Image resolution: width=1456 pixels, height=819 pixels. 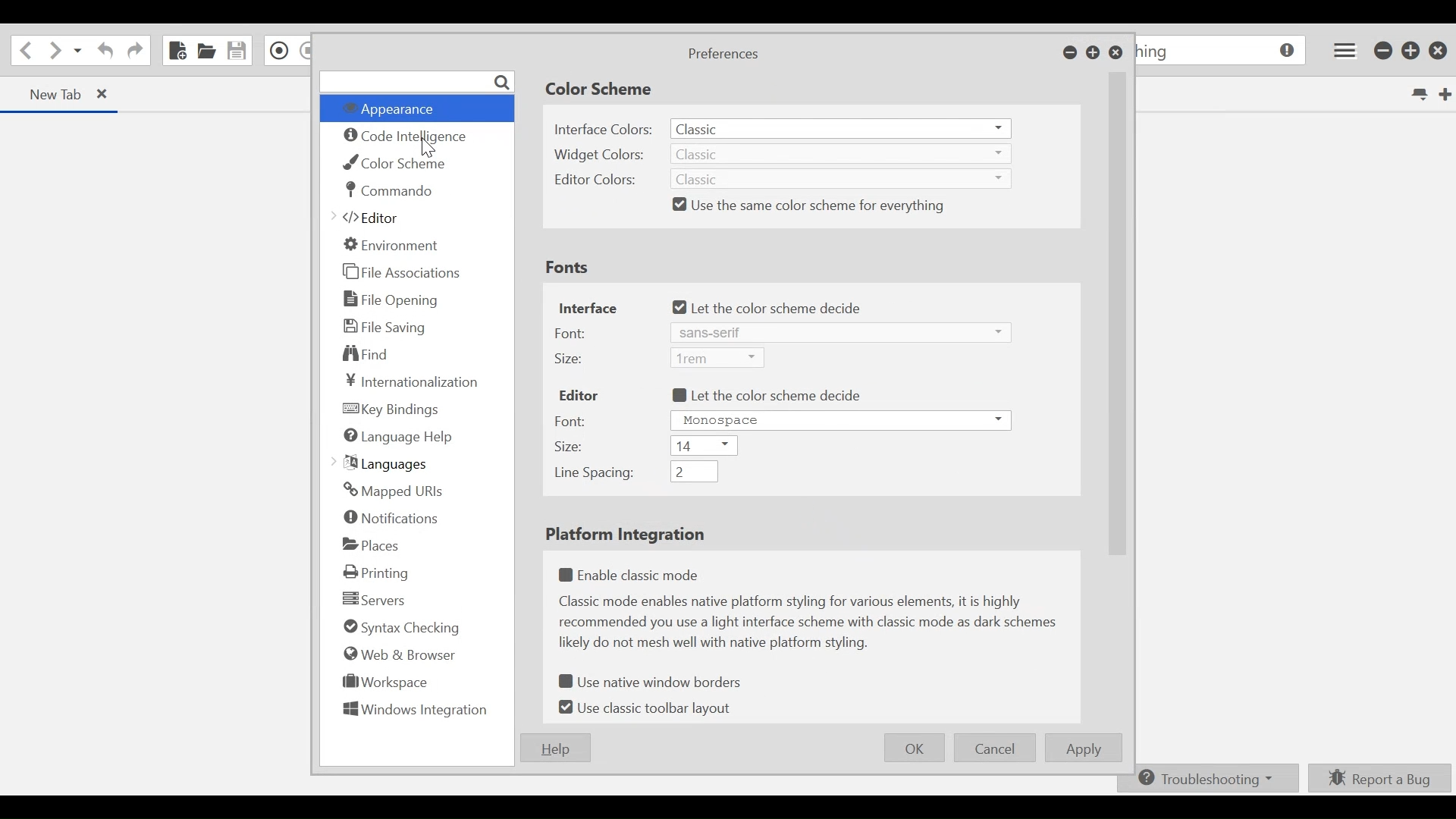 What do you see at coordinates (401, 163) in the screenshot?
I see `Color Scheme` at bounding box center [401, 163].